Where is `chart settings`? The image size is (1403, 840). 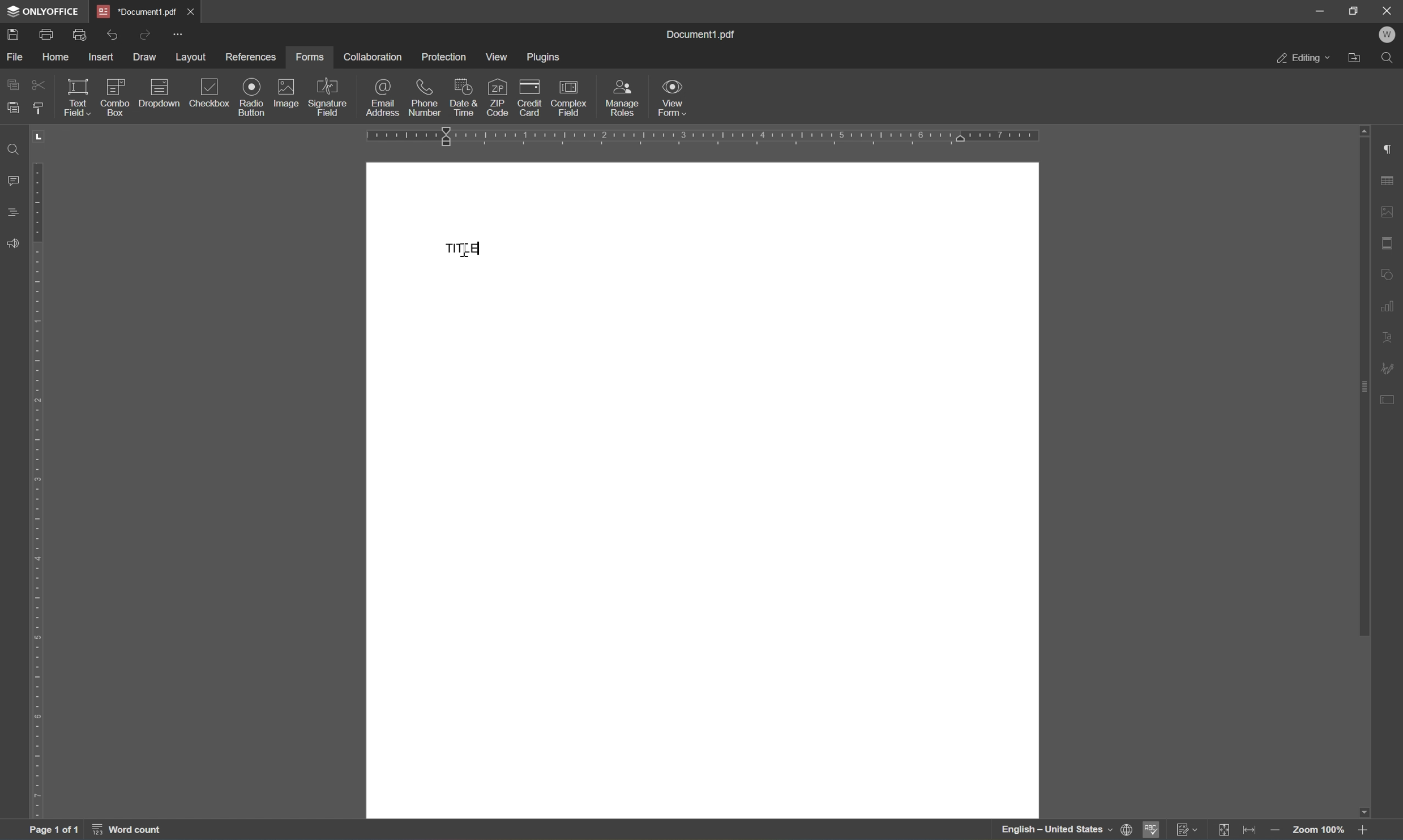 chart settings is located at coordinates (1392, 303).